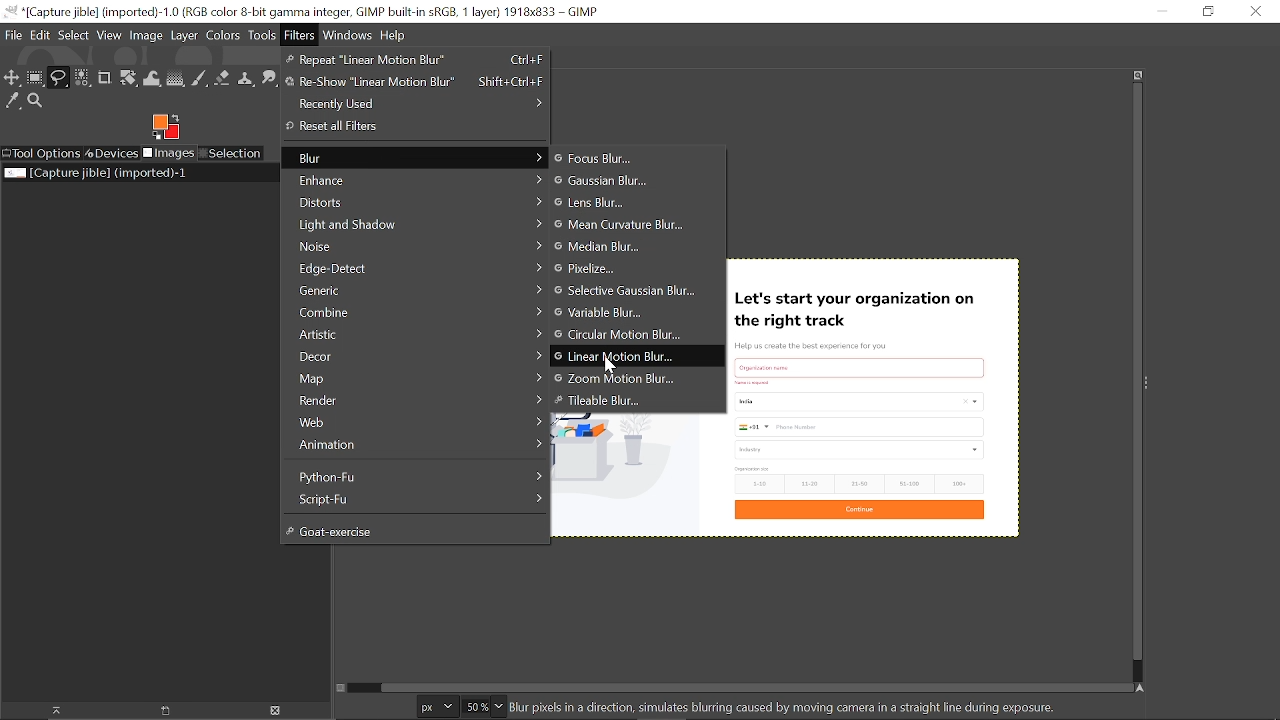 Image resolution: width=1280 pixels, height=720 pixels. I want to click on text, so click(792, 707).